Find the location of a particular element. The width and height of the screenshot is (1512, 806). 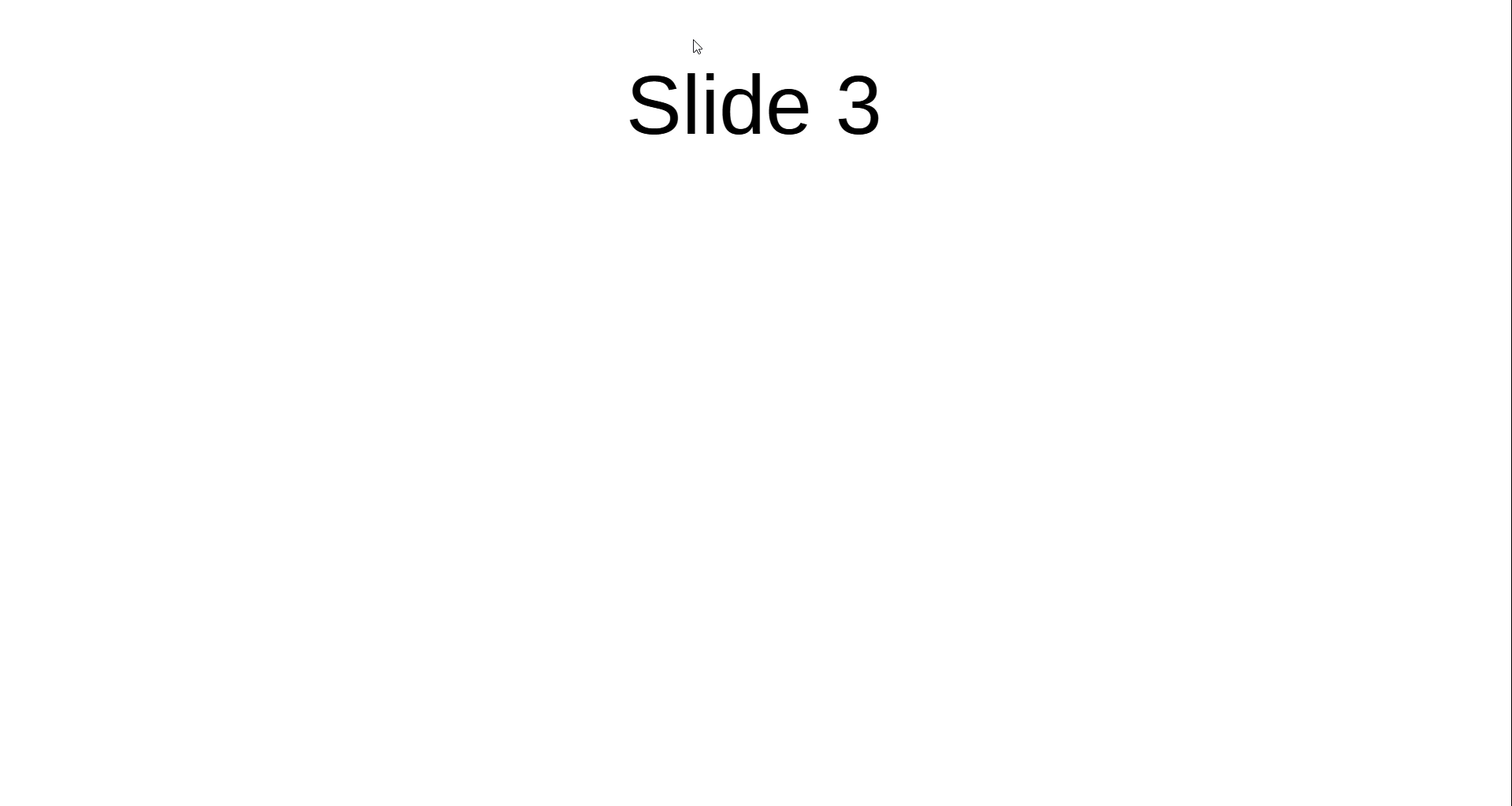

cursor is located at coordinates (701, 45).